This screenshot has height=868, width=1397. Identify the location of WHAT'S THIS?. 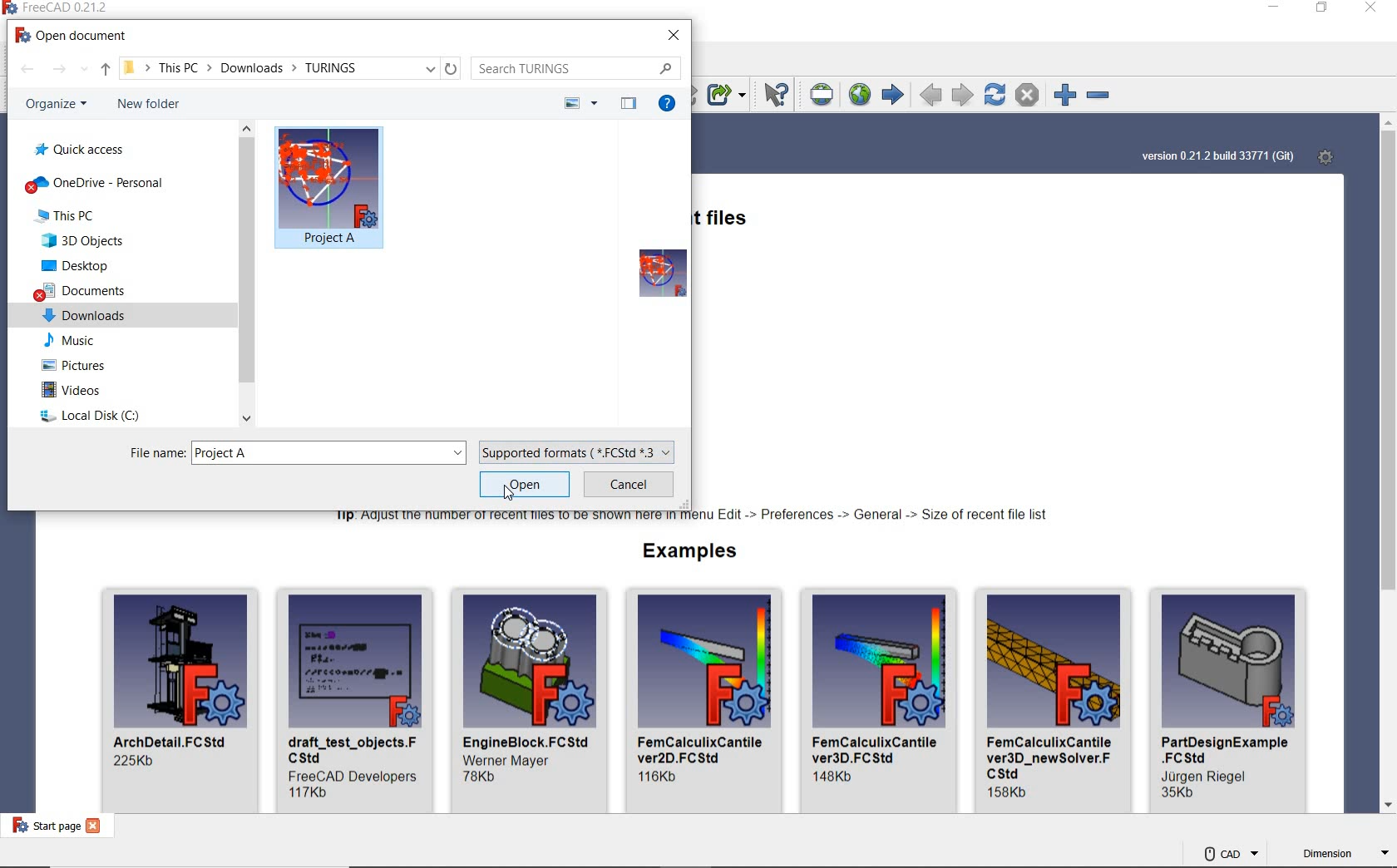
(777, 96).